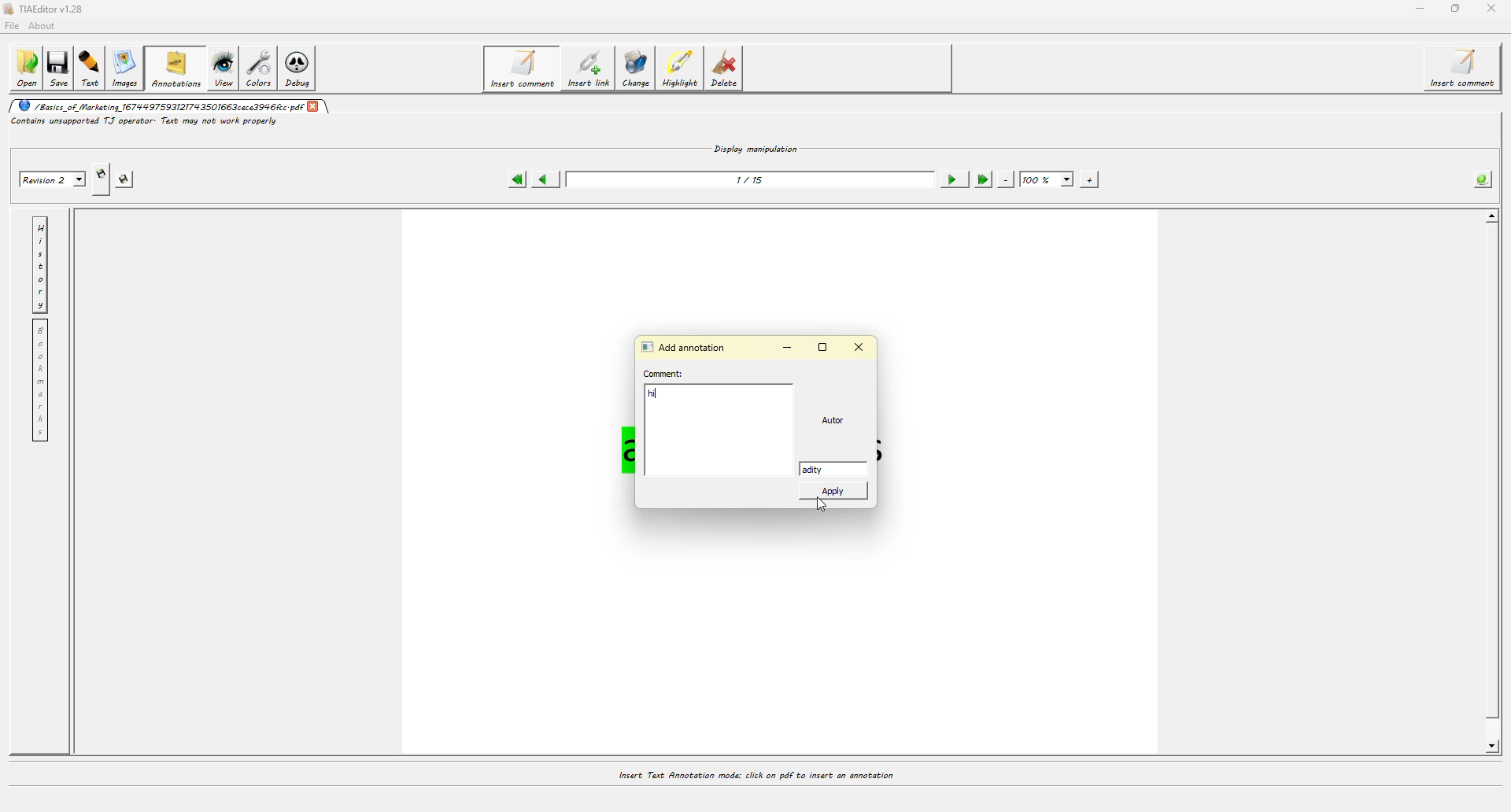 The image size is (1511, 812). What do you see at coordinates (100, 179) in the screenshot?
I see `creates new revision` at bounding box center [100, 179].